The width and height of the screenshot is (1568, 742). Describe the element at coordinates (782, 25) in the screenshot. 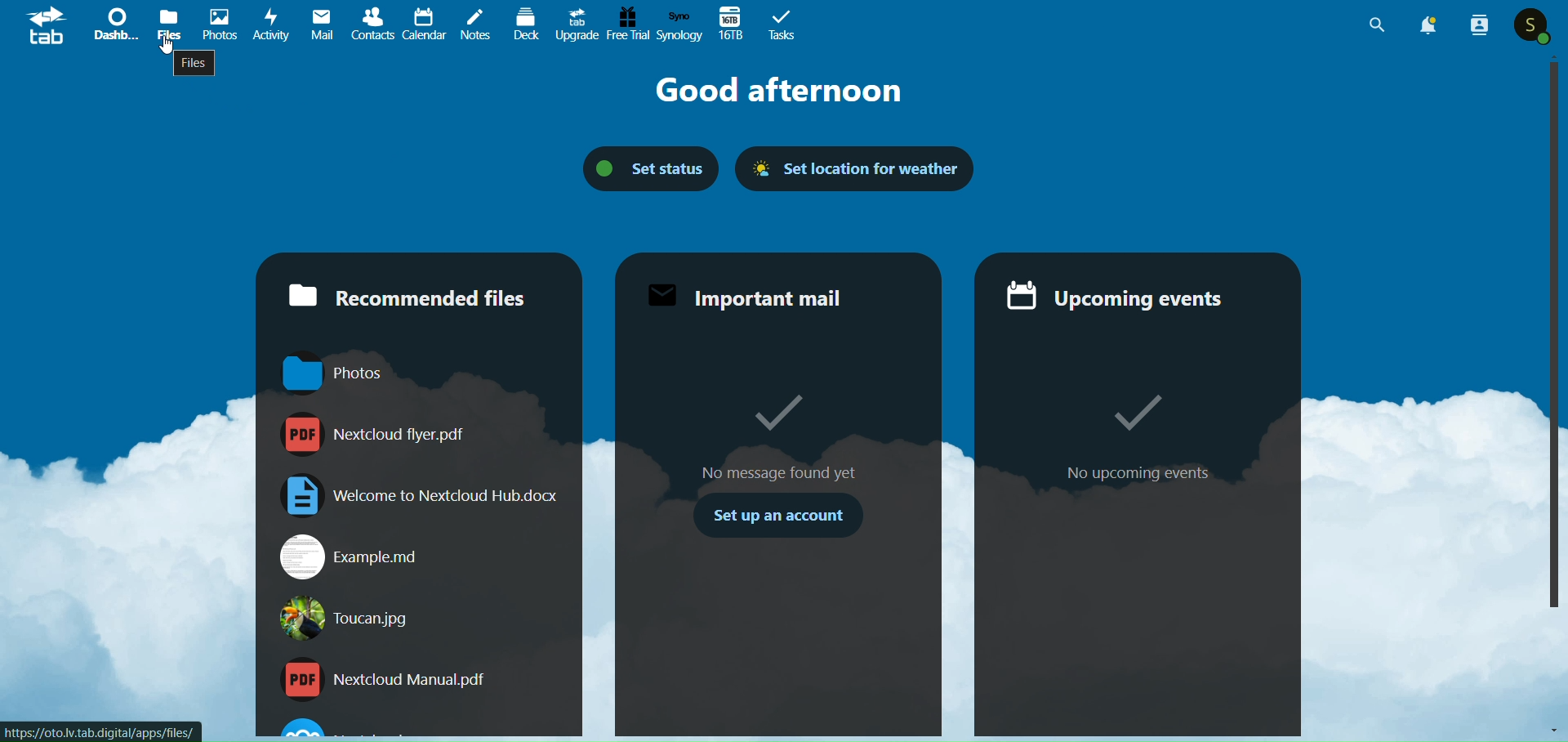

I see `task` at that location.